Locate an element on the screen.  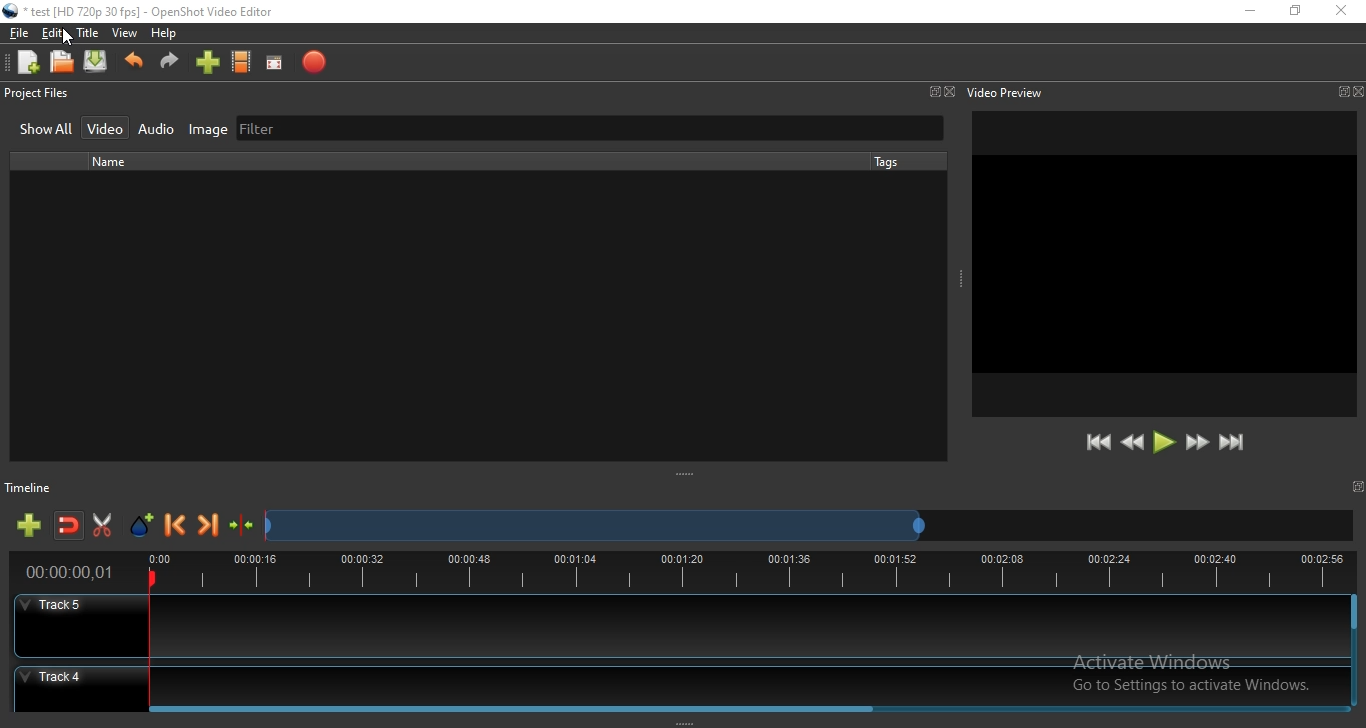
Video preview is located at coordinates (1005, 92).